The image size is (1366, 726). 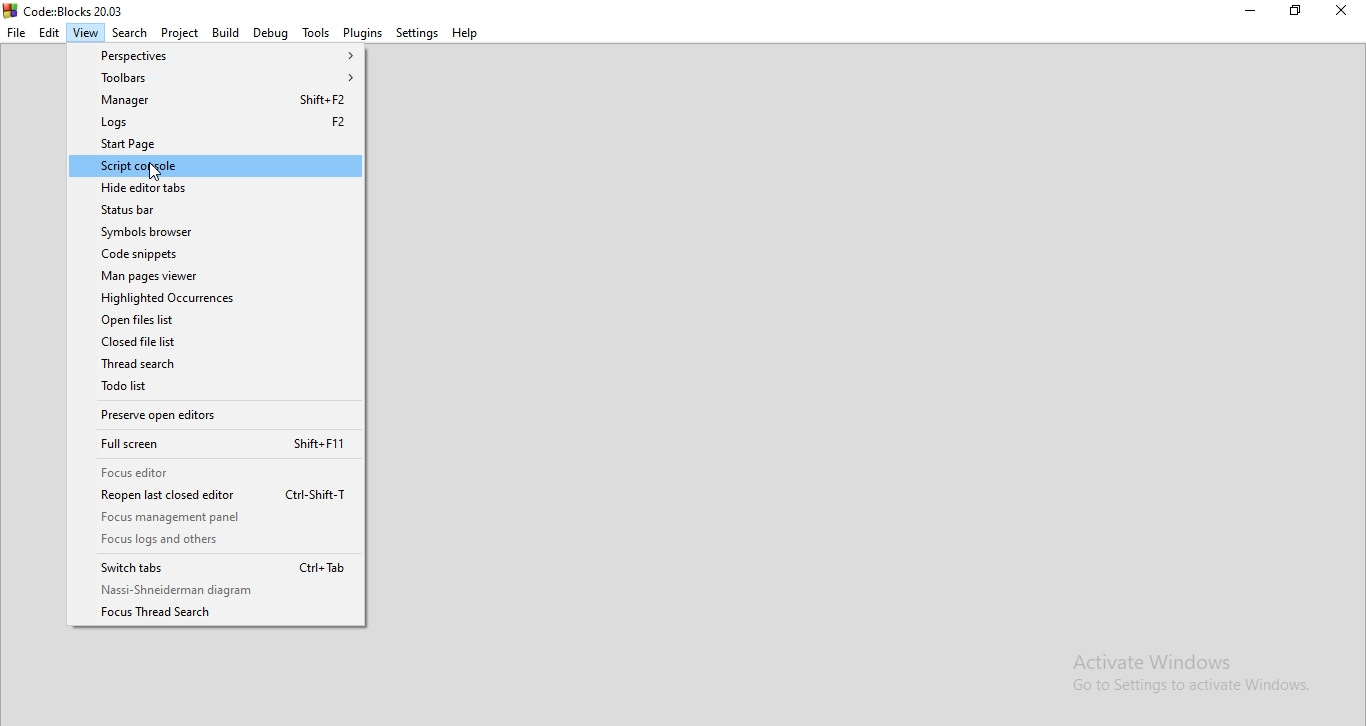 What do you see at coordinates (130, 33) in the screenshot?
I see `Search ` at bounding box center [130, 33].